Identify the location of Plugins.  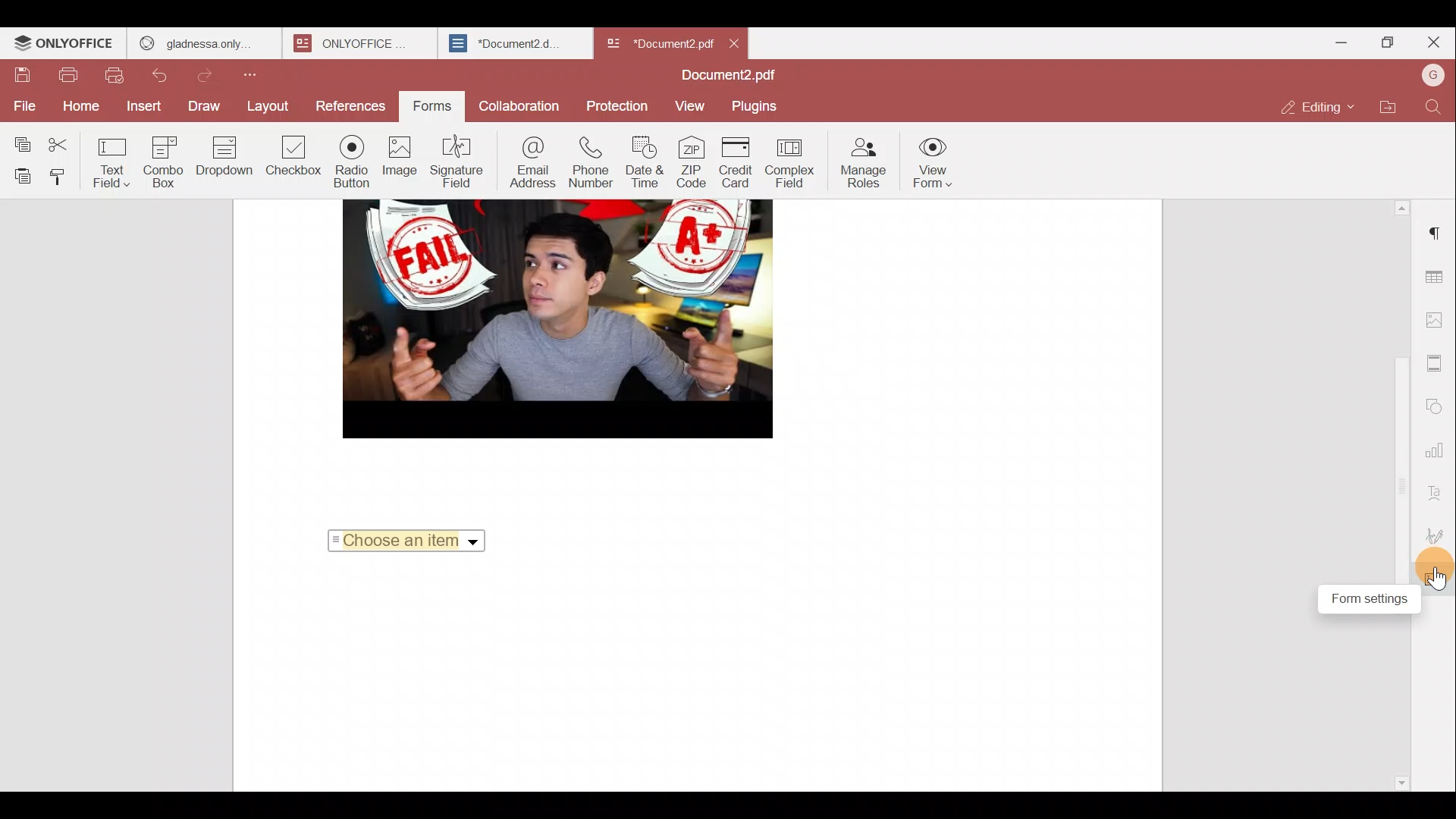
(757, 106).